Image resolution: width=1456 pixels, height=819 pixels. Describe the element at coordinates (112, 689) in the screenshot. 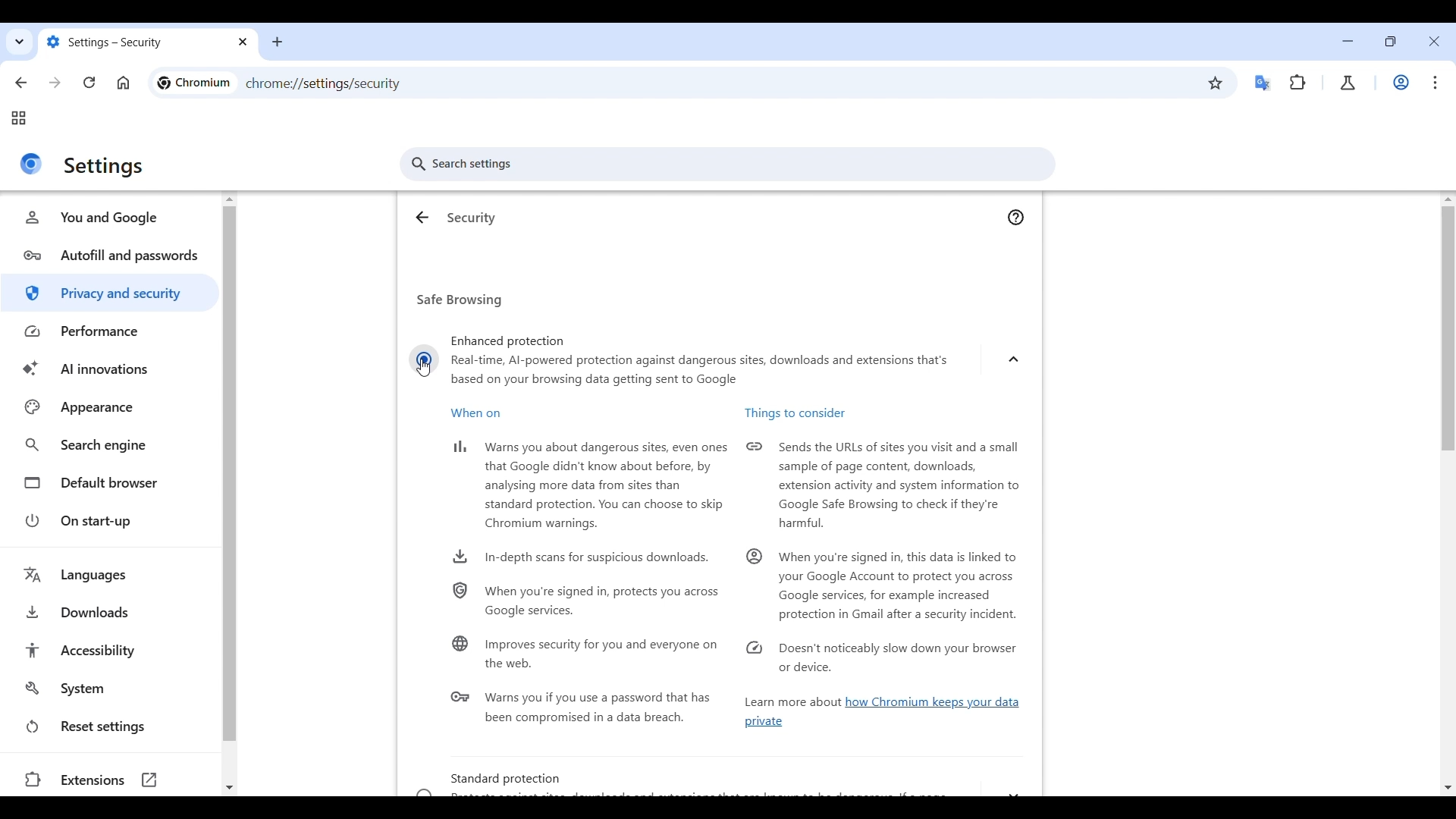

I see `System` at that location.